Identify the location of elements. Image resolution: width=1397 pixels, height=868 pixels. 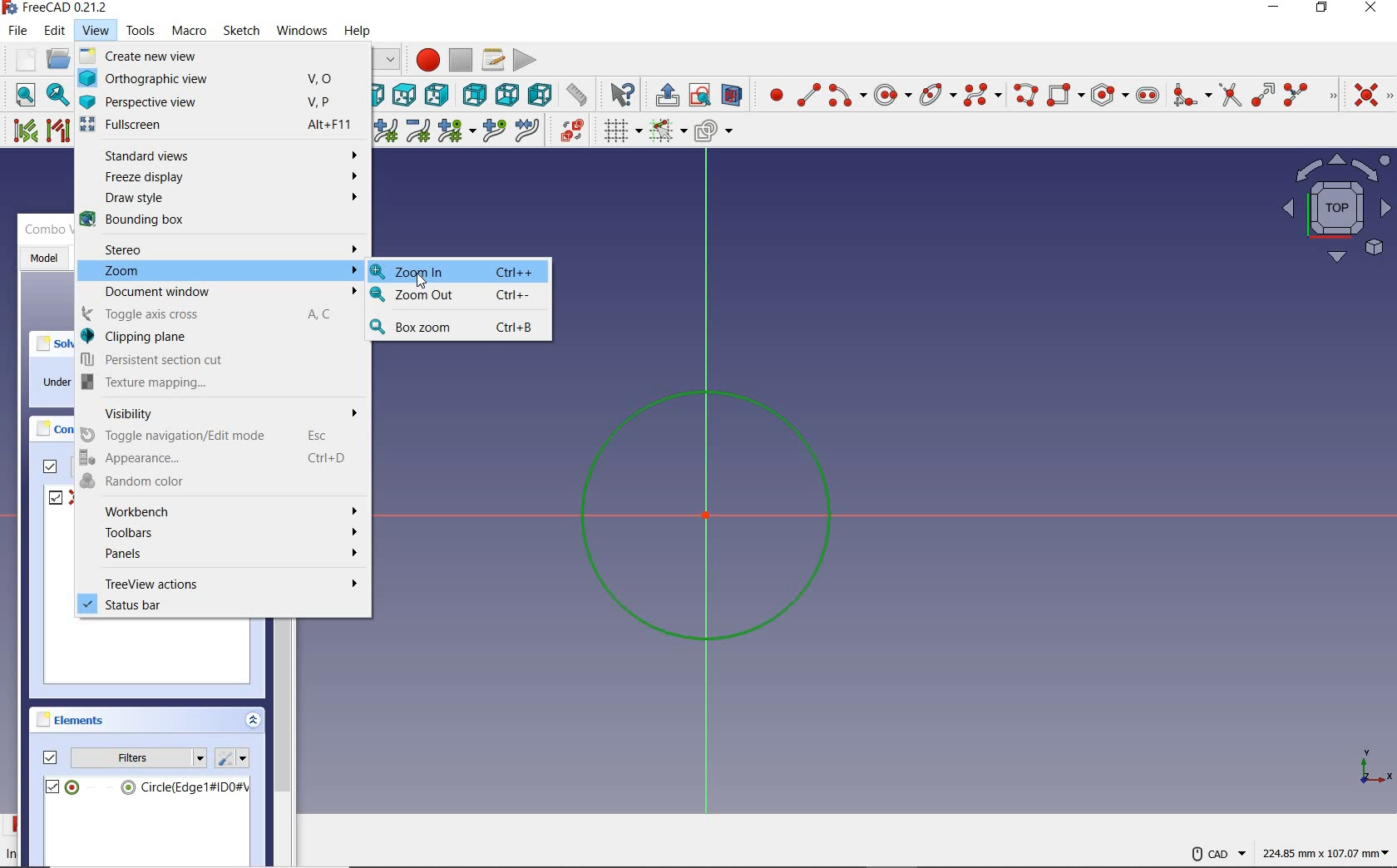
(82, 721).